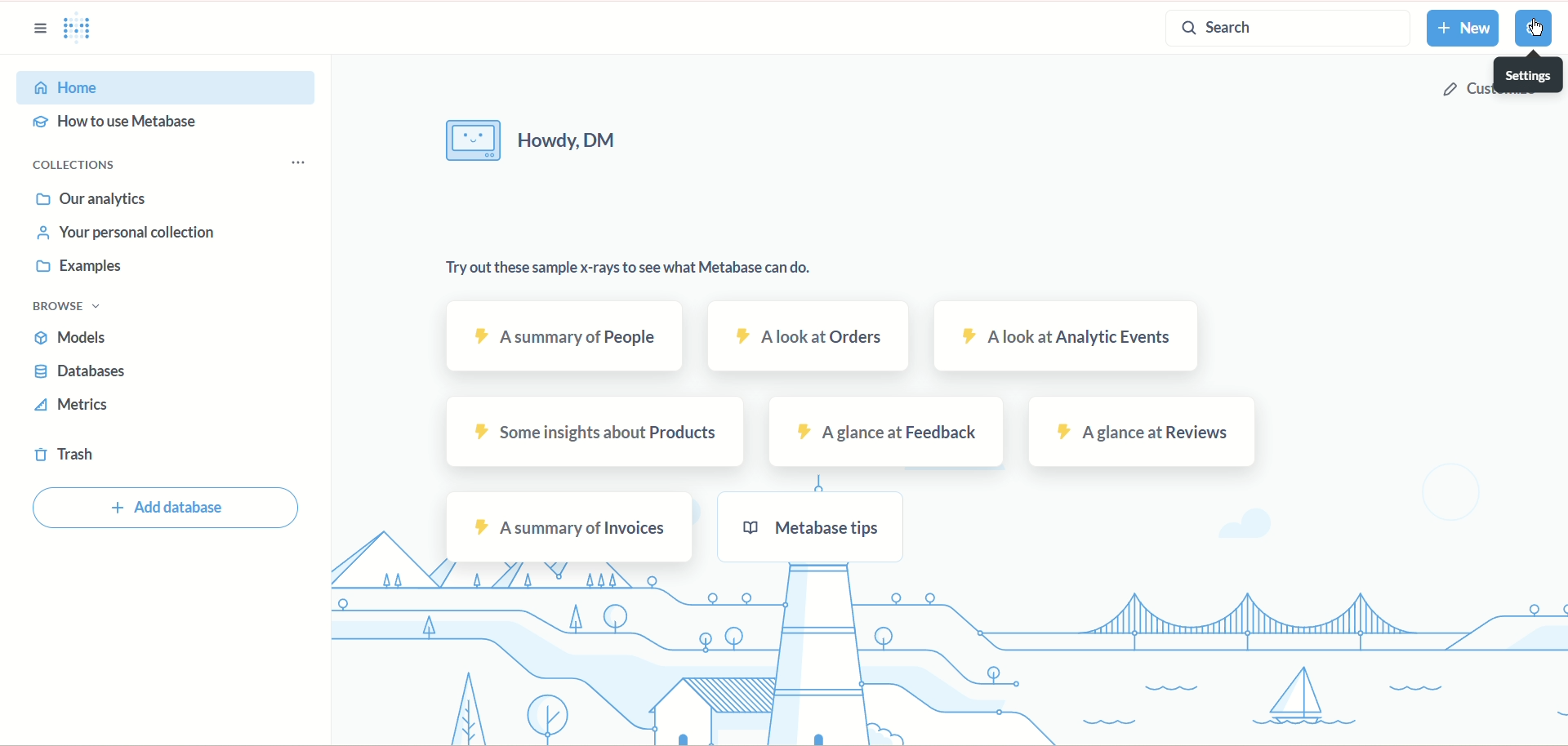  I want to click on add database, so click(169, 510).